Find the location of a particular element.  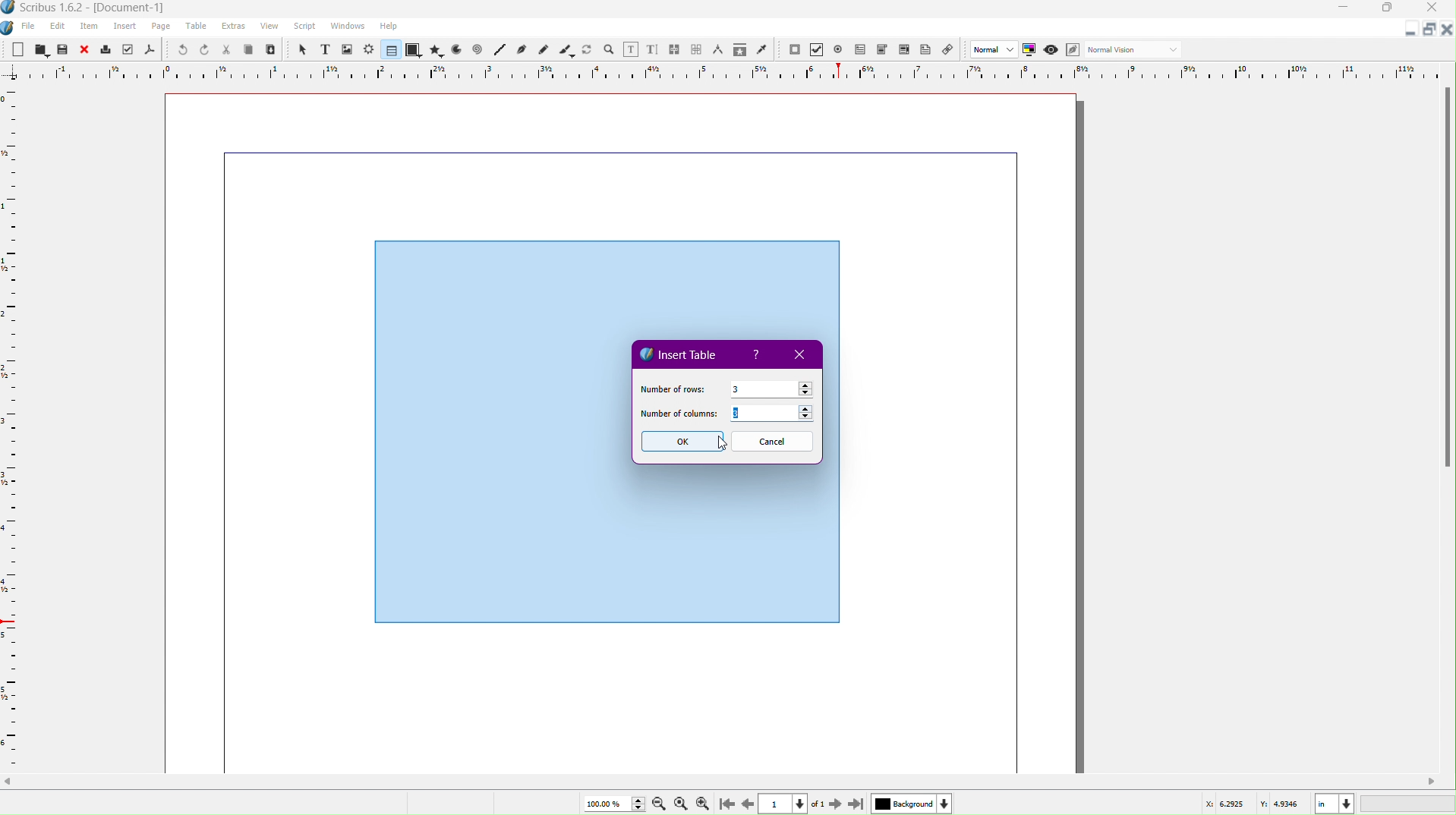

Zoom in or out is located at coordinates (609, 49).